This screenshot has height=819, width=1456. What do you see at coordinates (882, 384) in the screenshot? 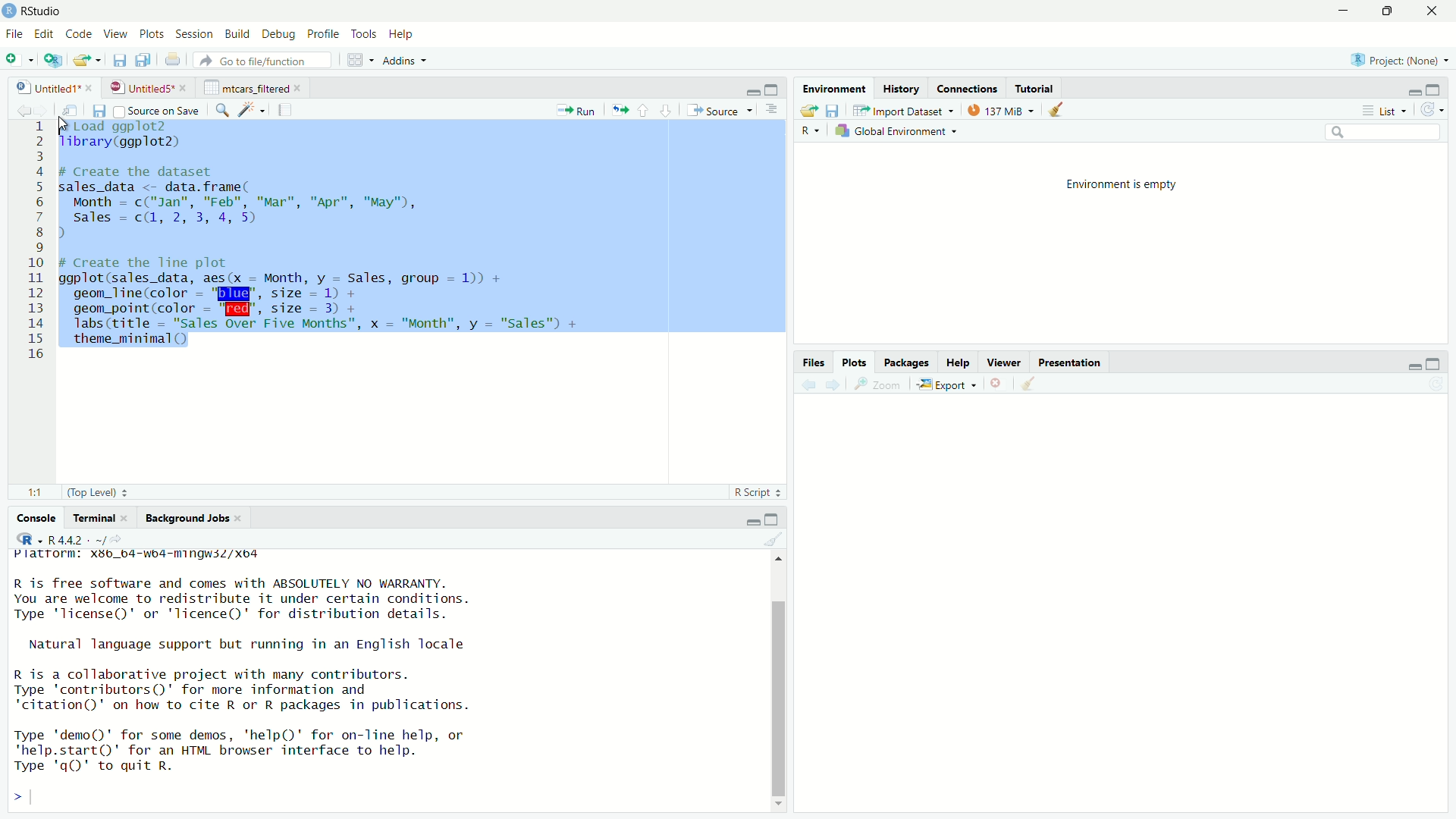
I see `Zoom` at bounding box center [882, 384].